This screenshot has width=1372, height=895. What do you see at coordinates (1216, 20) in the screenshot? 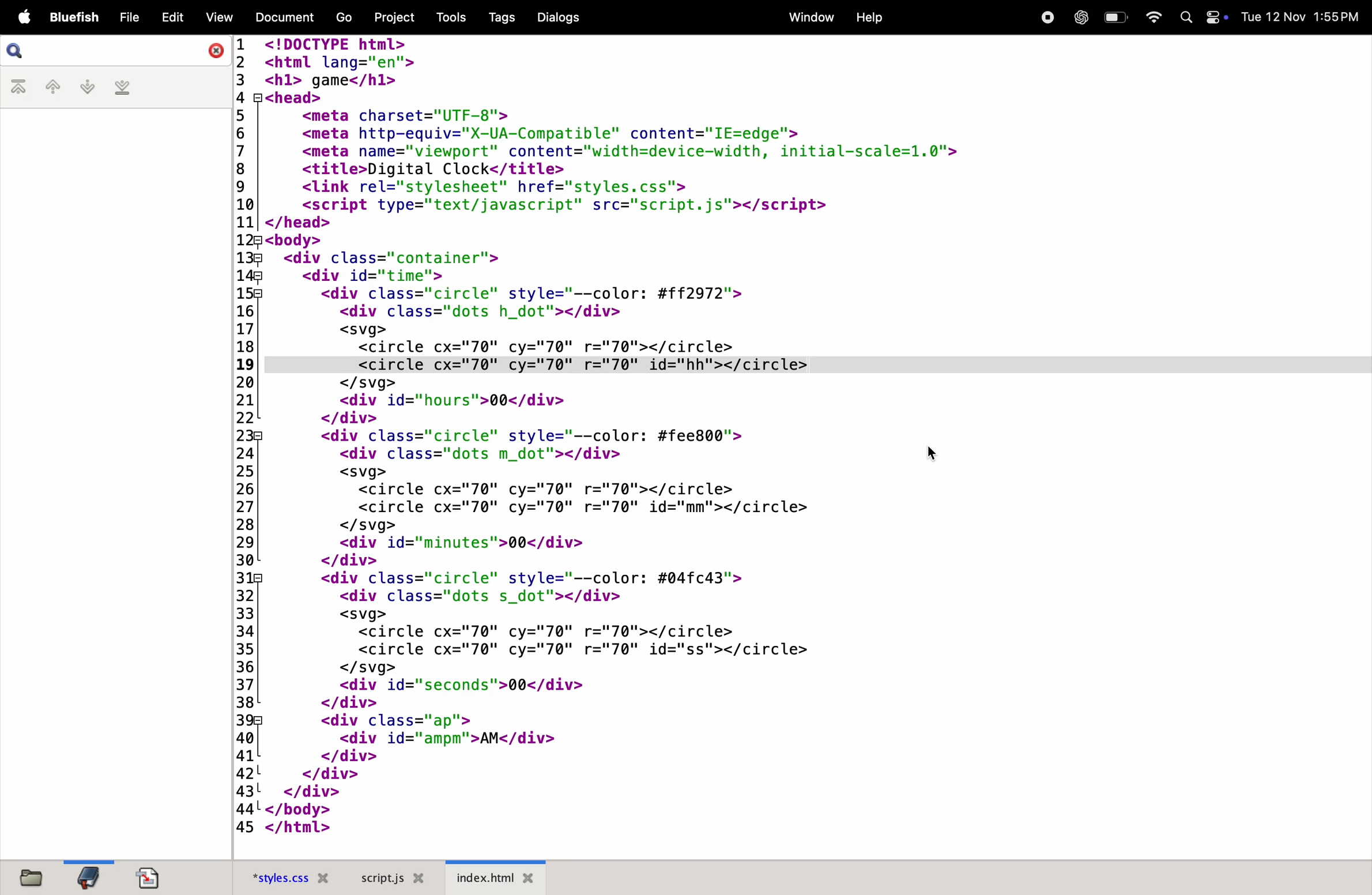
I see `Control center` at bounding box center [1216, 20].